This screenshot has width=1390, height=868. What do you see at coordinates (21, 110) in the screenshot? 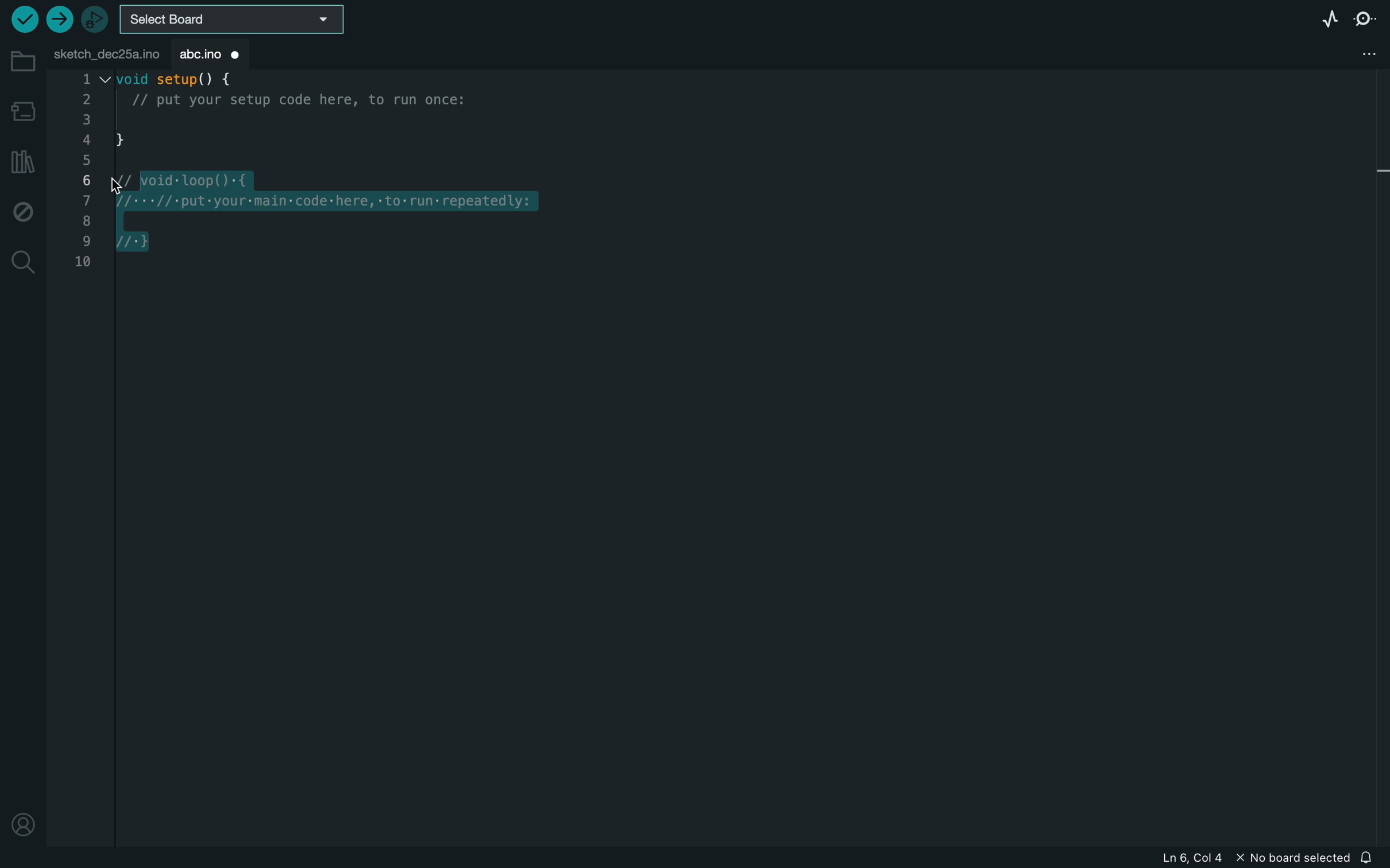
I see `board  manager` at bounding box center [21, 110].